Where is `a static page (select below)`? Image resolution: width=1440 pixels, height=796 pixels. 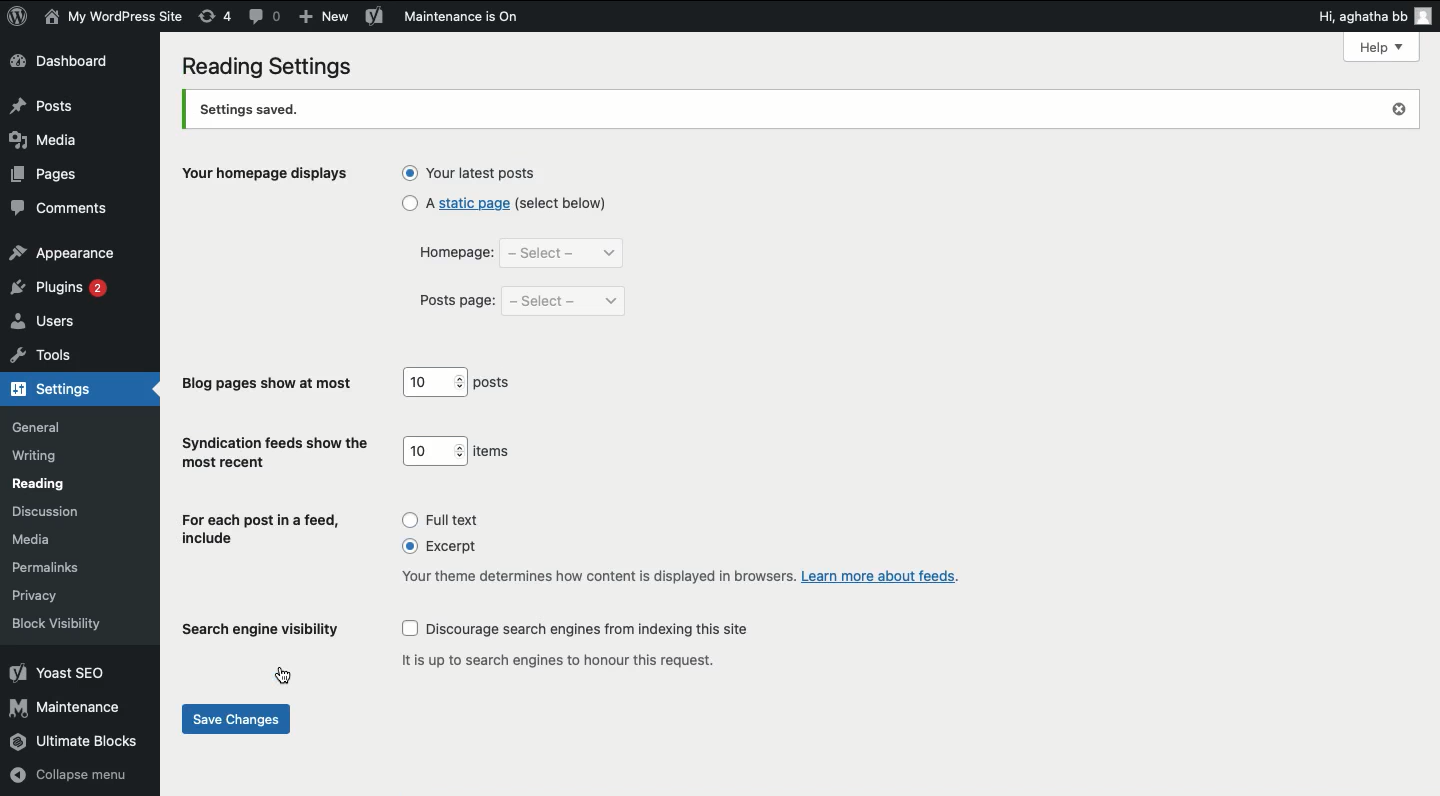
a static page (select below) is located at coordinates (505, 204).